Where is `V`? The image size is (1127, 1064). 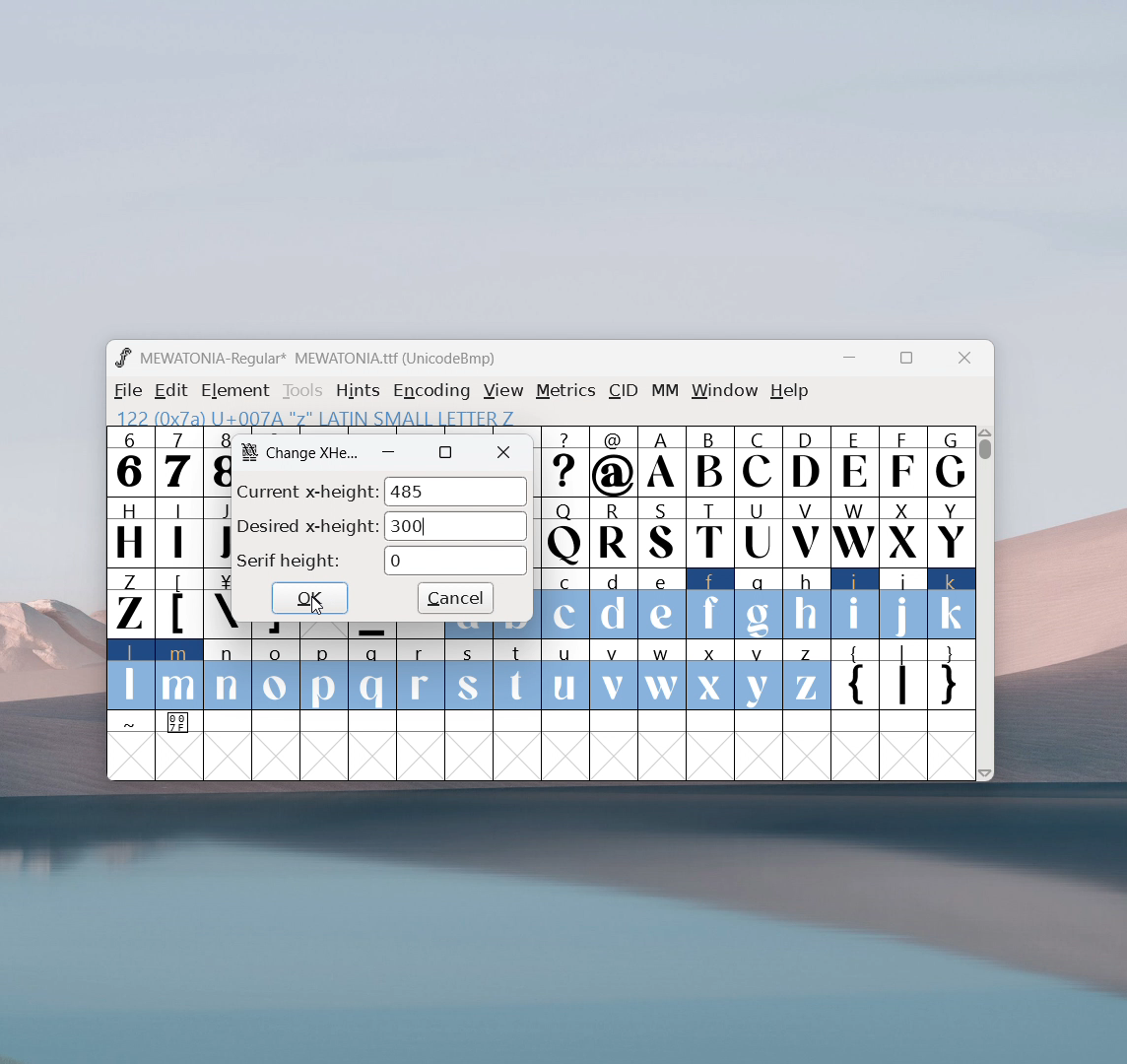 V is located at coordinates (805, 531).